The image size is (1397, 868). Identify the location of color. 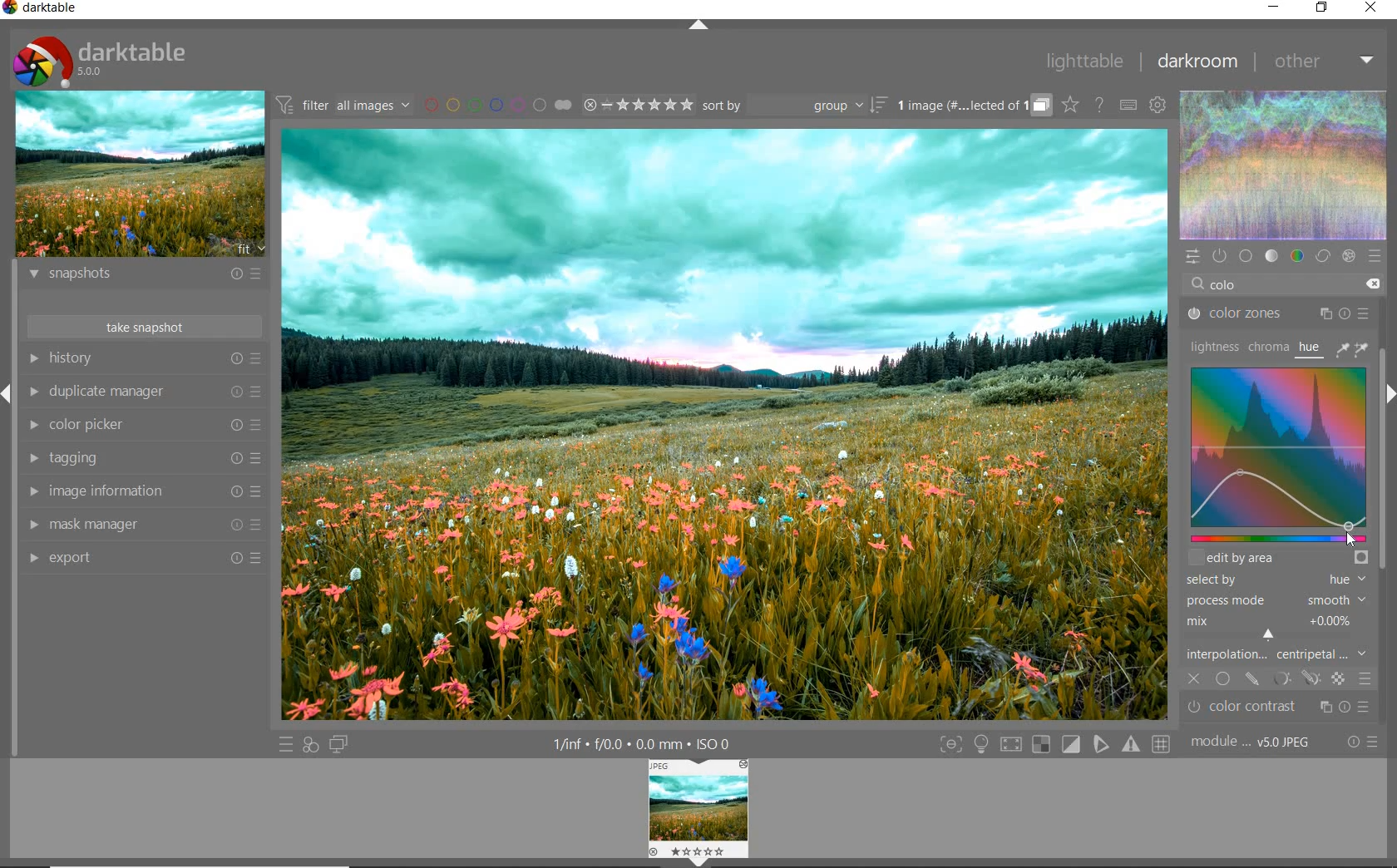
(1296, 256).